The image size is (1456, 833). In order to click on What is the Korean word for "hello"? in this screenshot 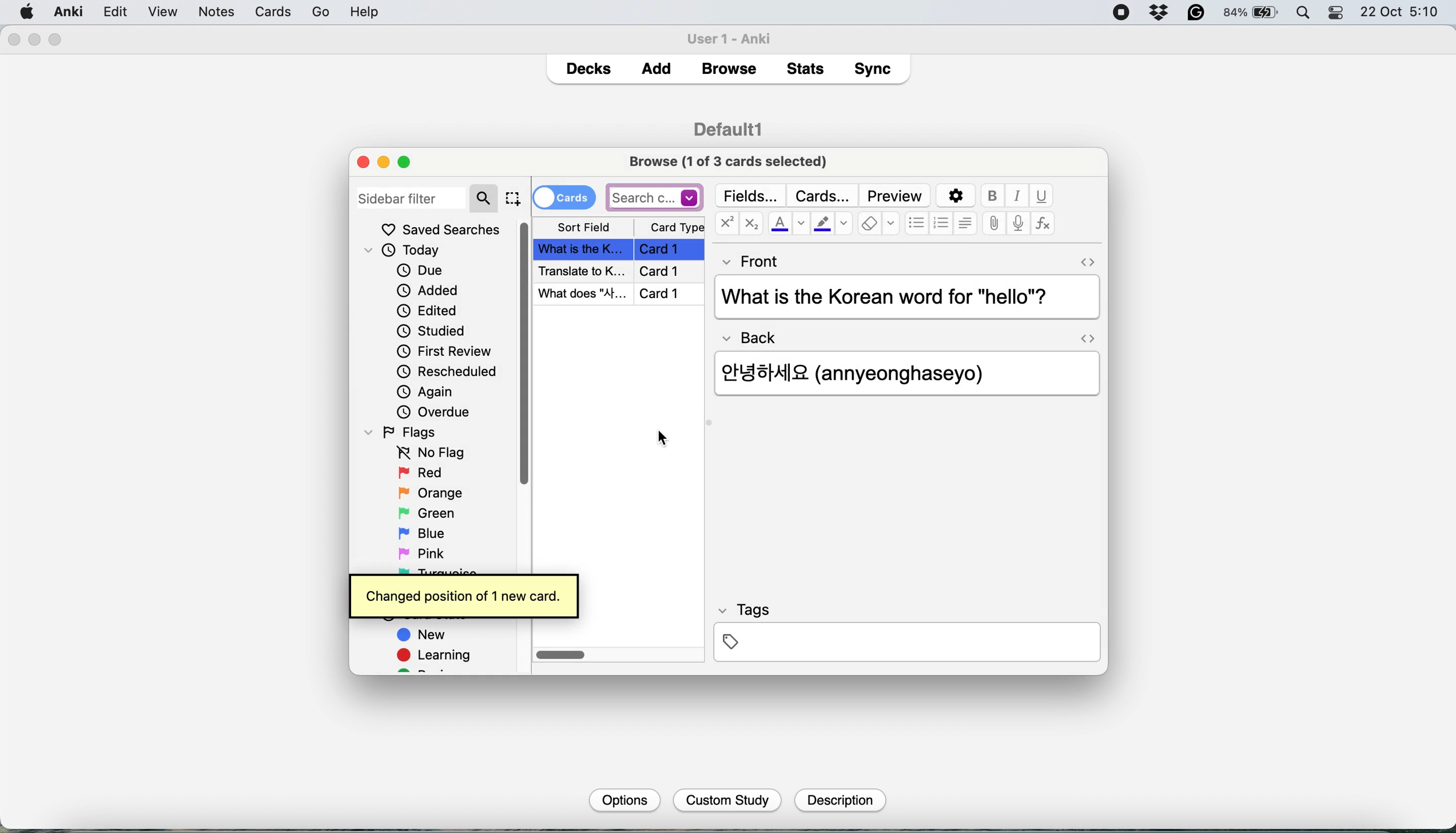, I will do `click(904, 298)`.